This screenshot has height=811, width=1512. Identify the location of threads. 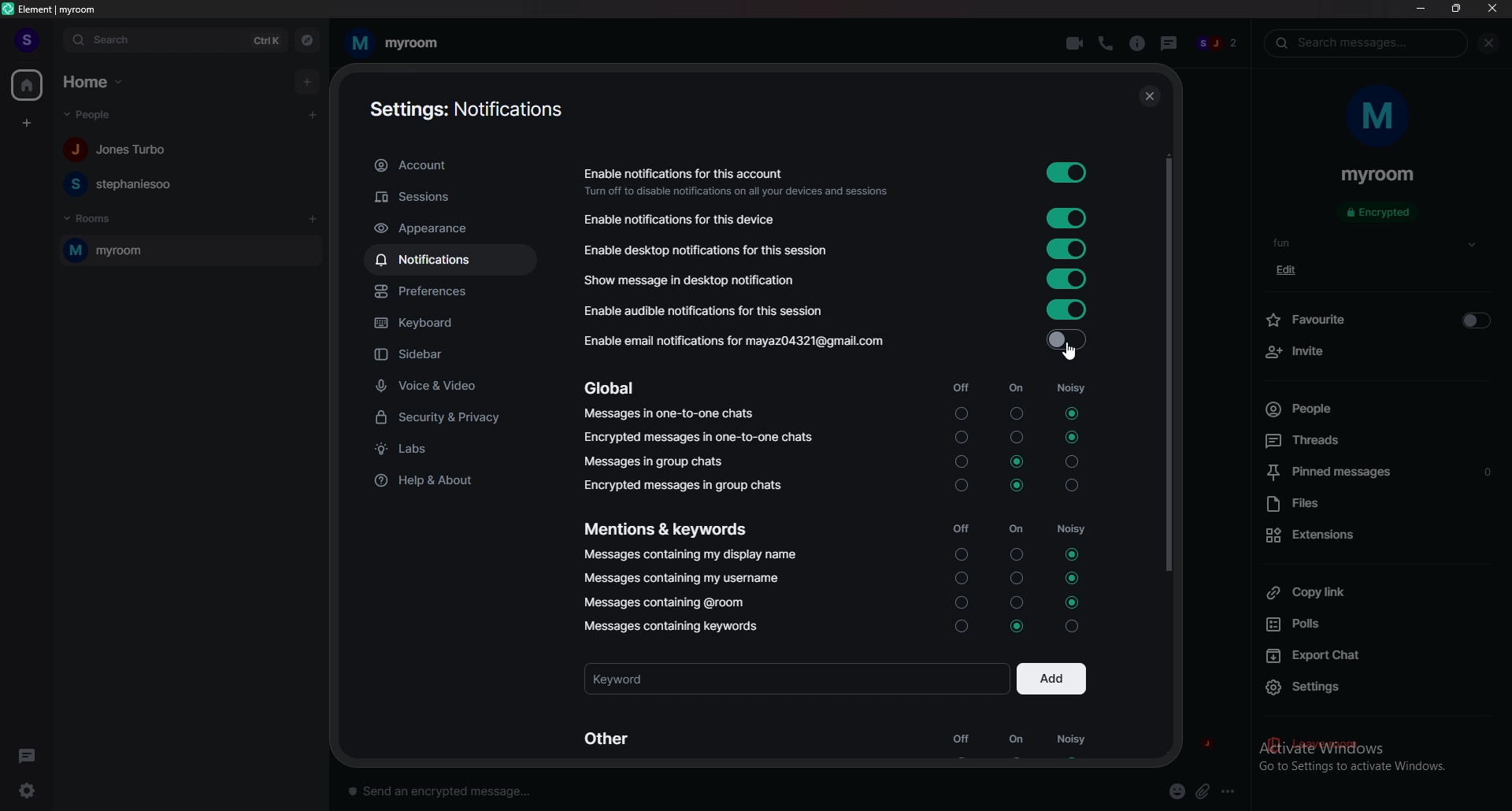
(1166, 41).